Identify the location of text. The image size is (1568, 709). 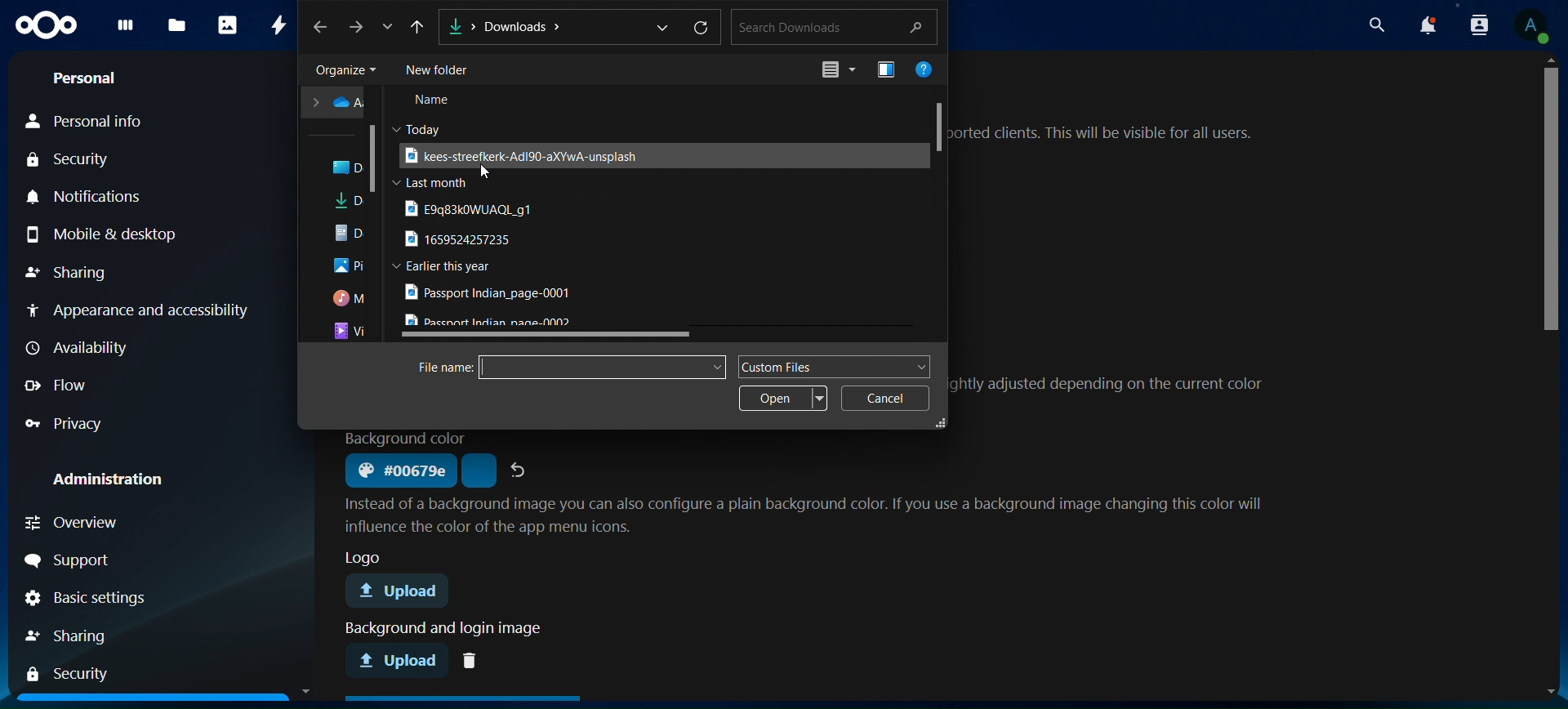
(810, 514).